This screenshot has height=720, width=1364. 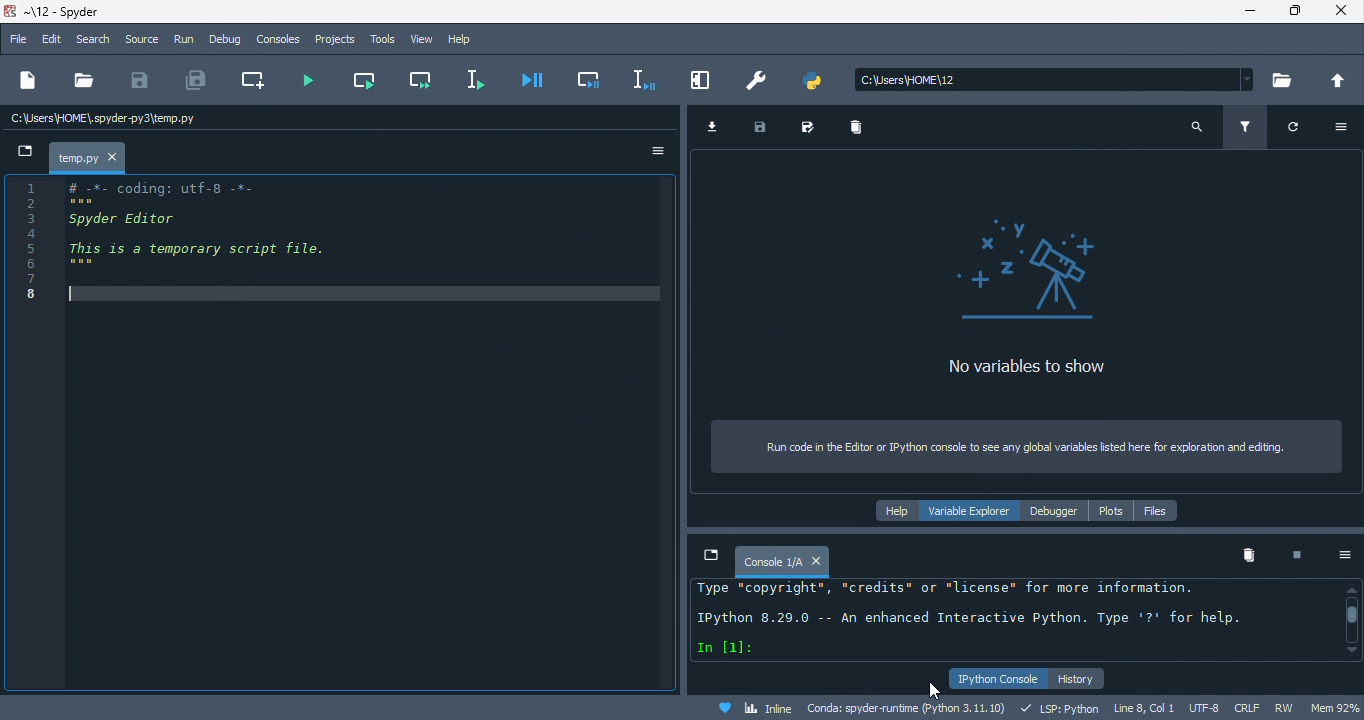 I want to click on run, so click(x=185, y=41).